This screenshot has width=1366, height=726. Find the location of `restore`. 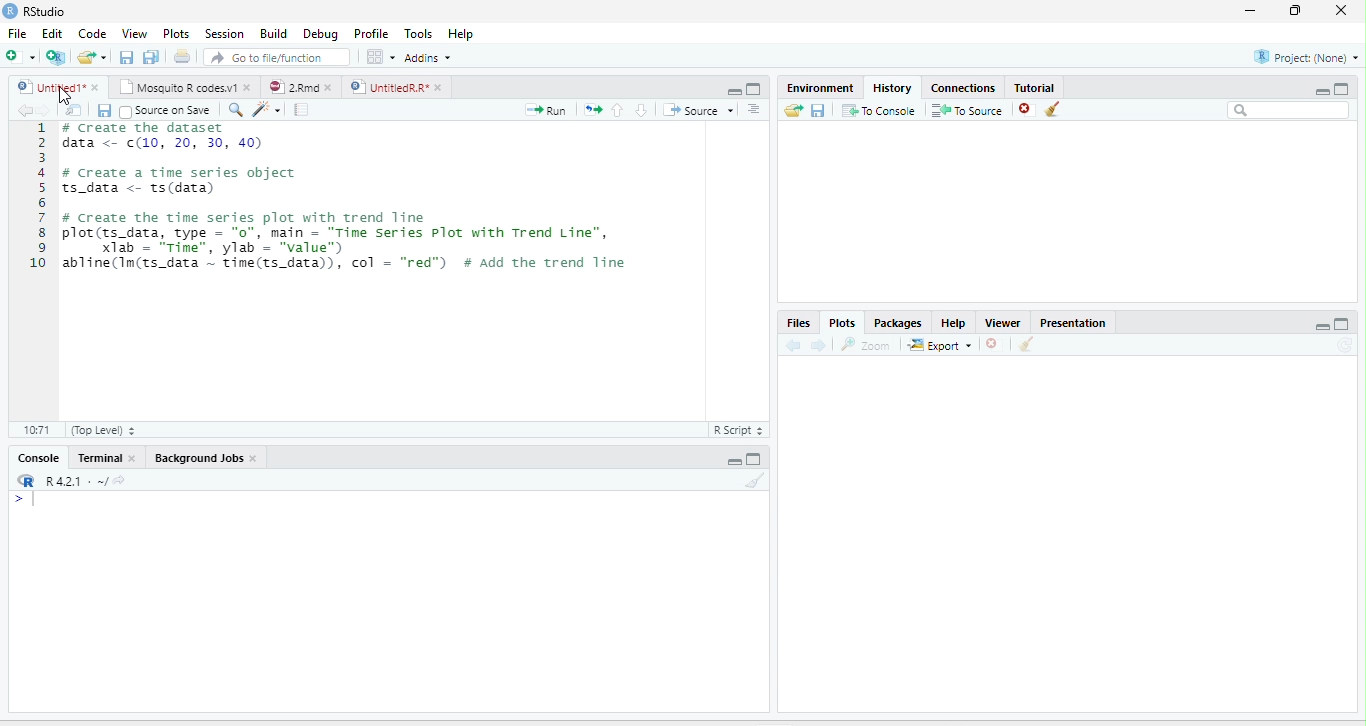

restore is located at coordinates (1296, 11).